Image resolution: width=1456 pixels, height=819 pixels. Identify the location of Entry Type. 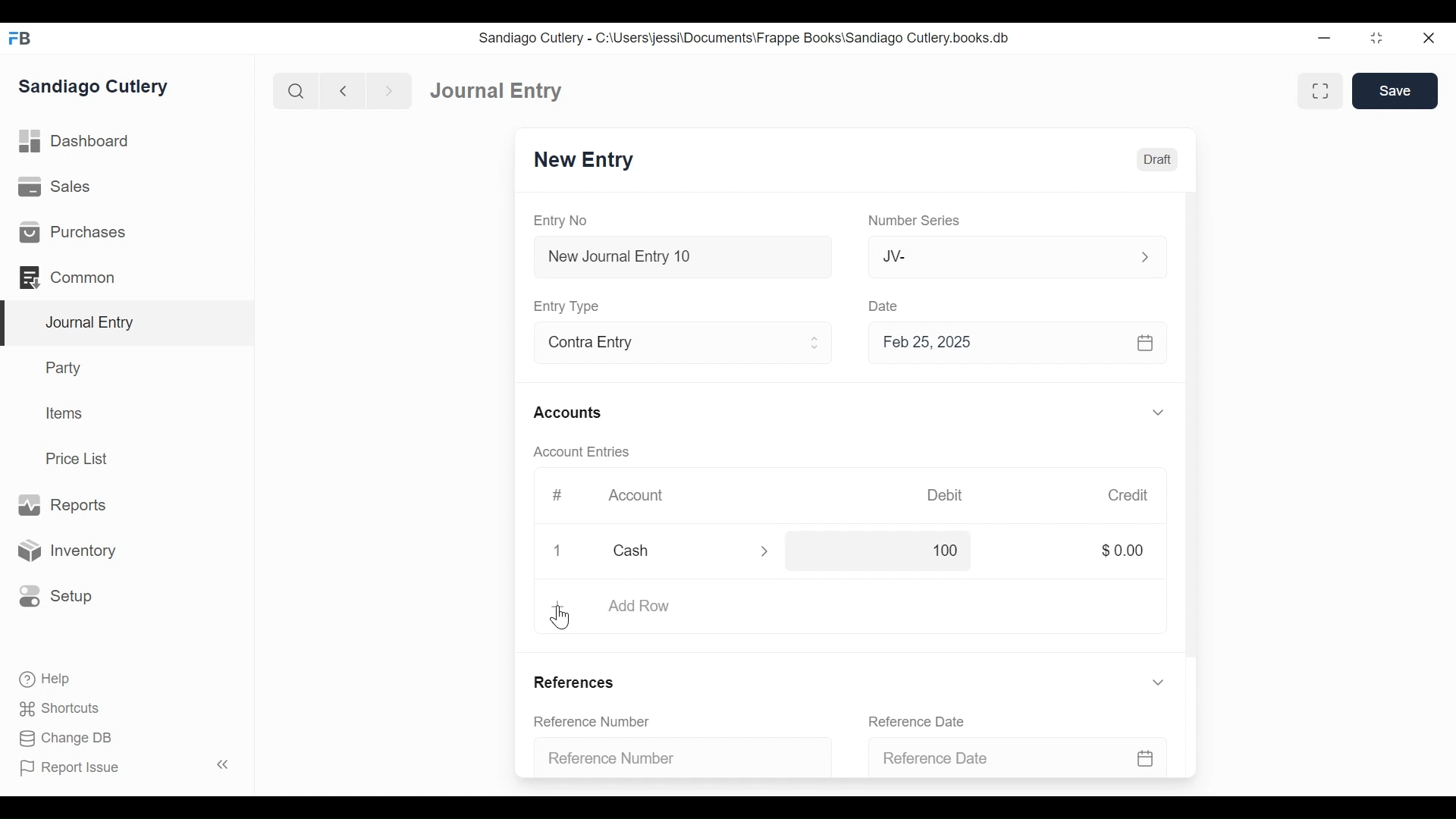
(571, 306).